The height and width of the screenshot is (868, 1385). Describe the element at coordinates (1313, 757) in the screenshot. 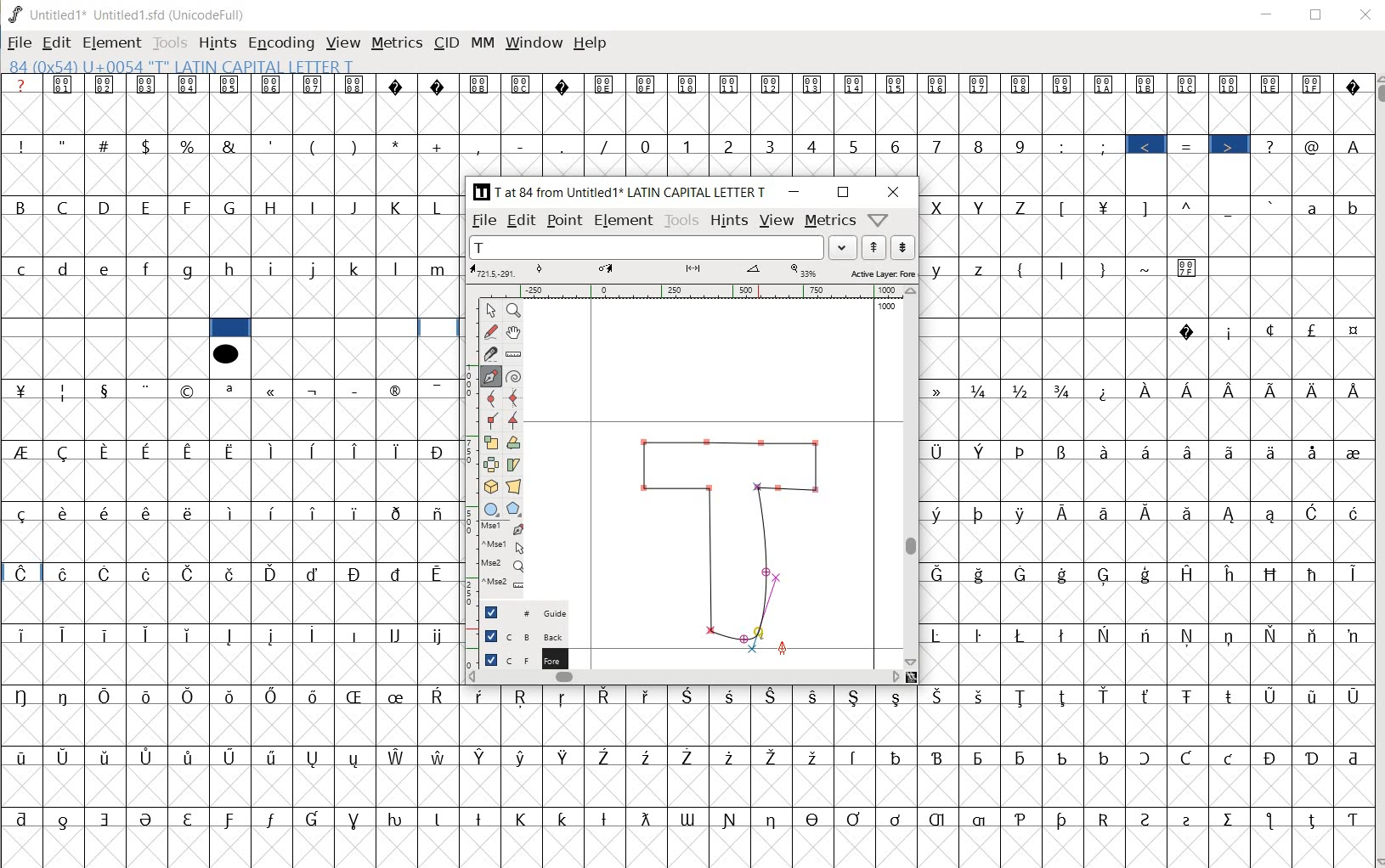

I see `Symbol` at that location.